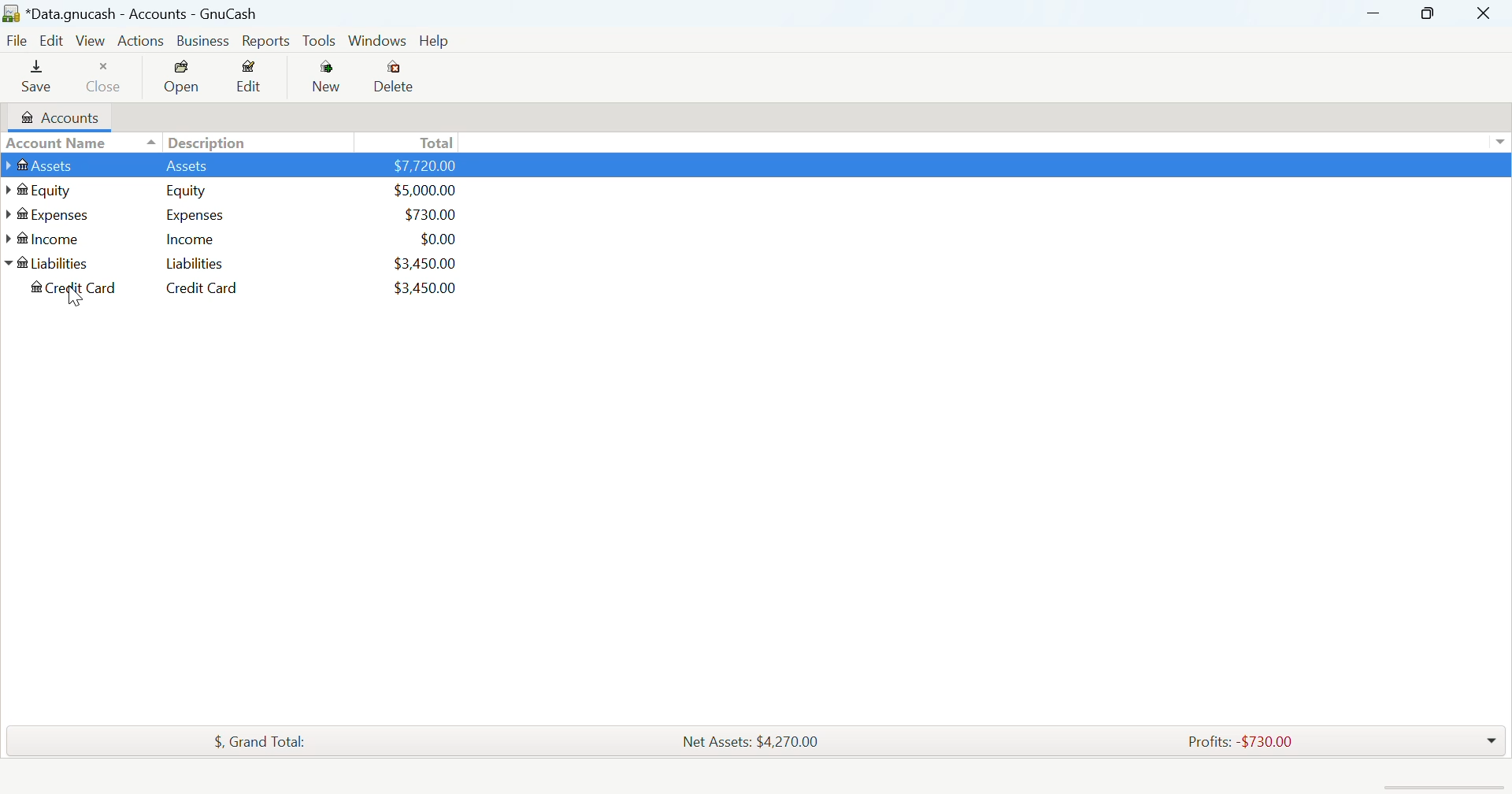 This screenshot has height=794, width=1512. Describe the element at coordinates (250, 80) in the screenshot. I see `Edit` at that location.